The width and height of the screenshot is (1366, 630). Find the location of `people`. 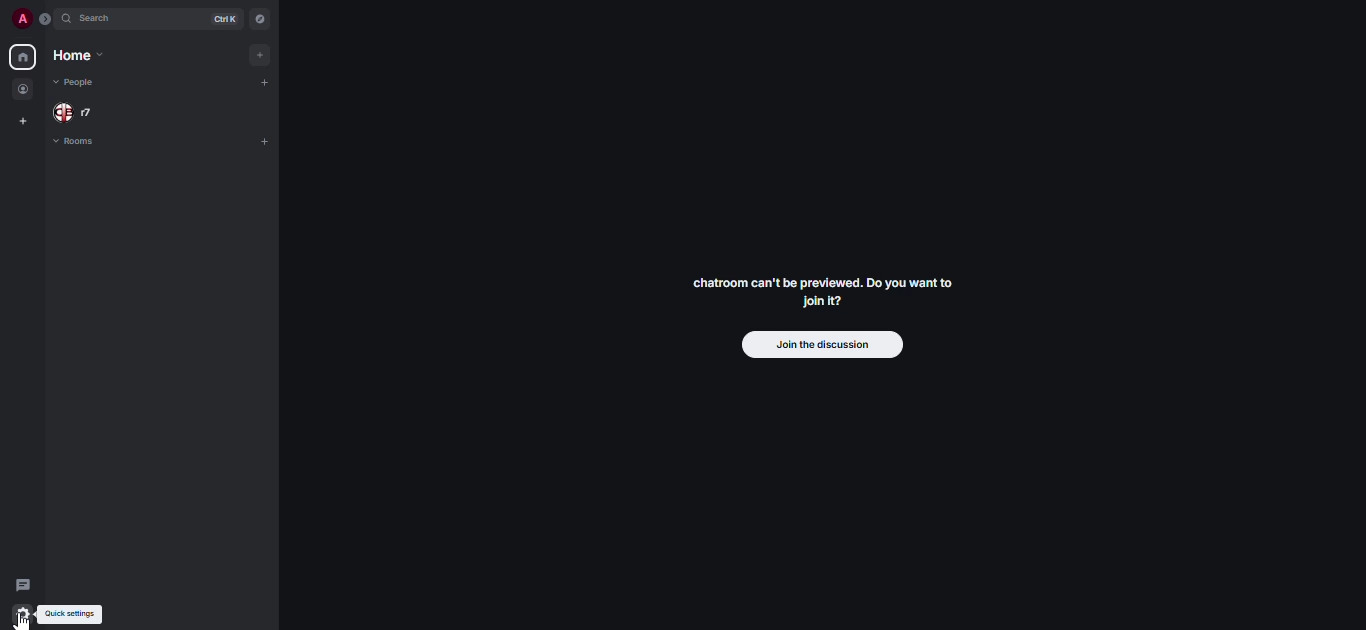

people is located at coordinates (77, 112).